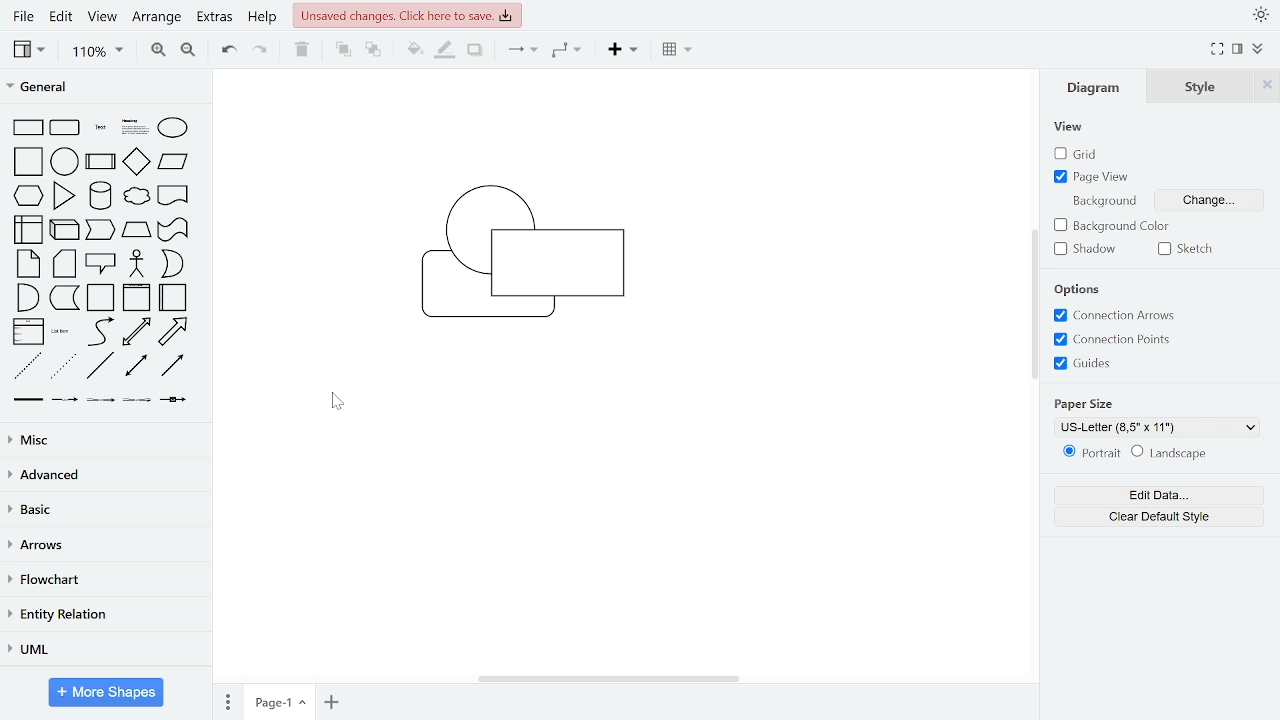  I want to click on data storage, so click(63, 297).